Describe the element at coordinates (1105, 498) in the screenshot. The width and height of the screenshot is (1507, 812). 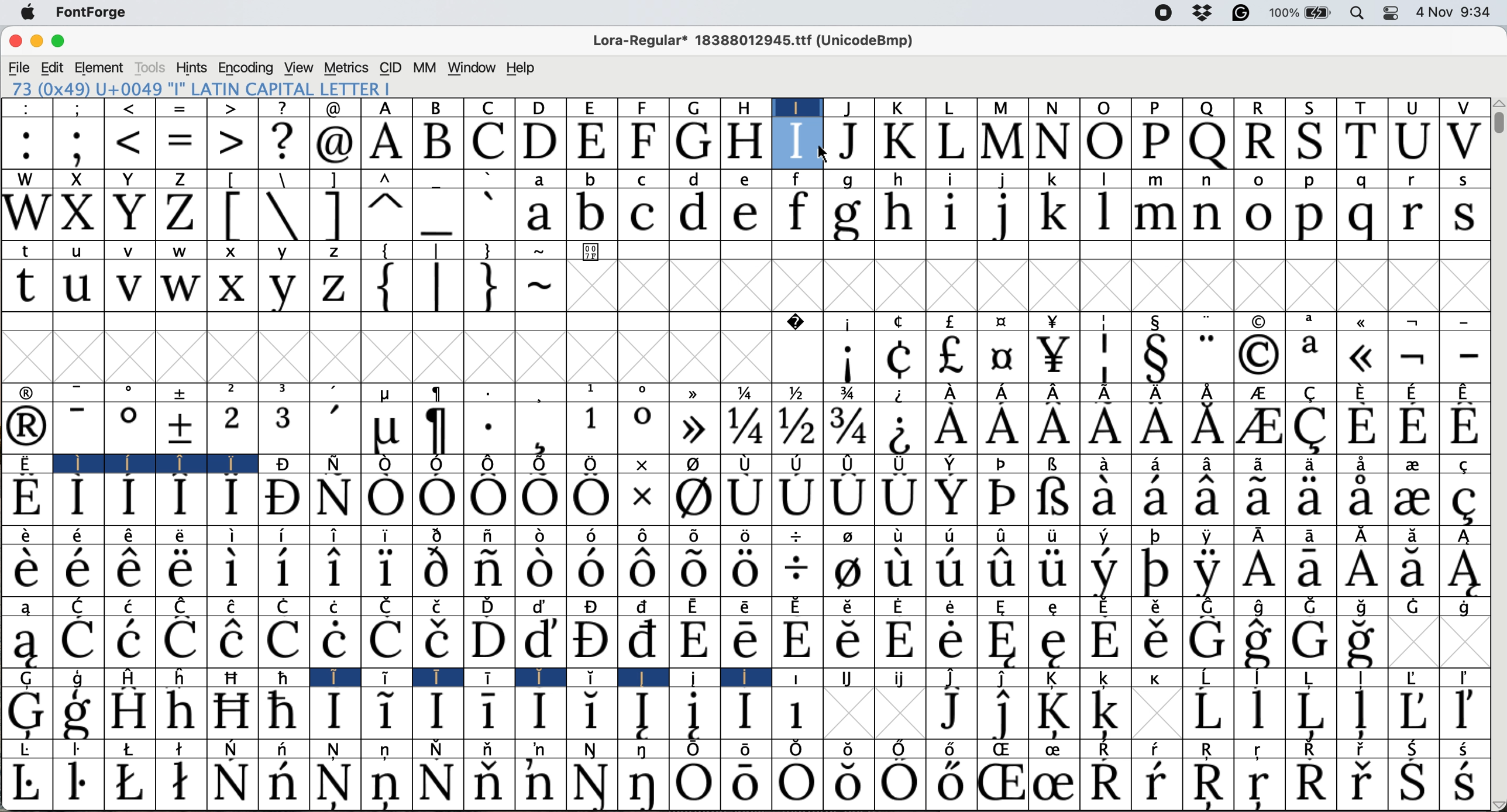
I see `Symbol` at that location.